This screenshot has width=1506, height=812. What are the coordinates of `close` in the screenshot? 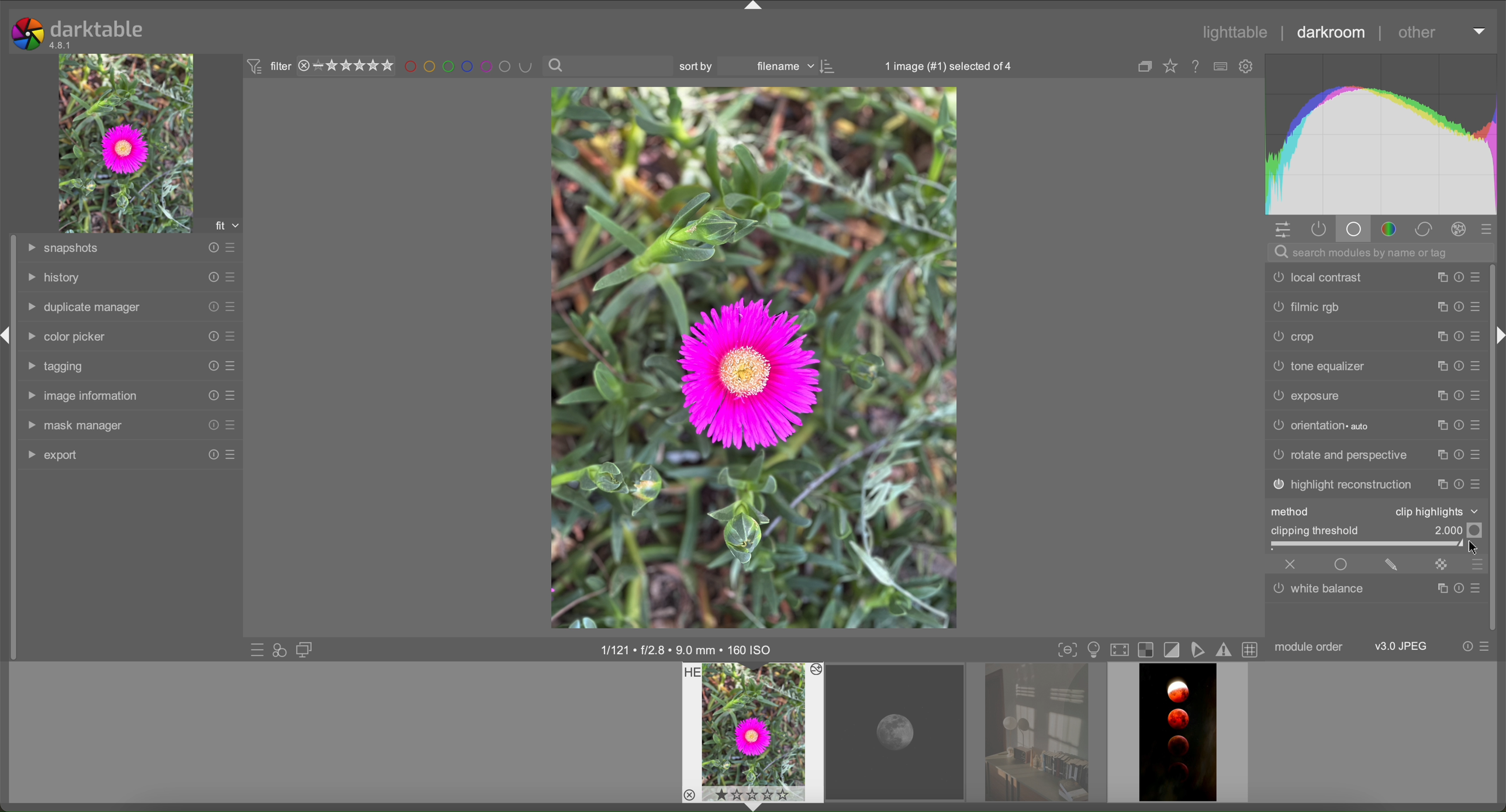 It's located at (1291, 565).